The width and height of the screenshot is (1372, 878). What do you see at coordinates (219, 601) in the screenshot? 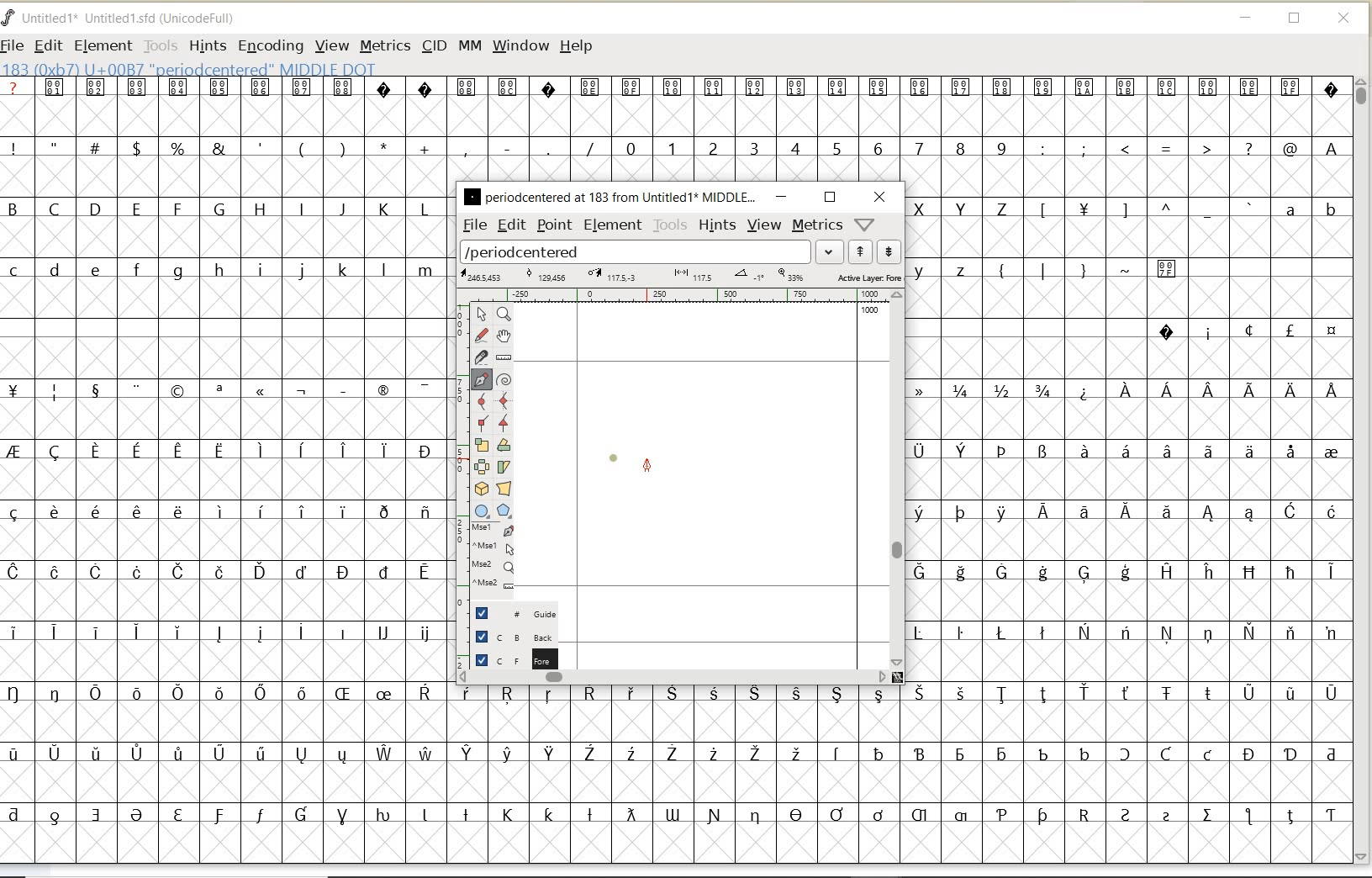
I see `special characters` at bounding box center [219, 601].